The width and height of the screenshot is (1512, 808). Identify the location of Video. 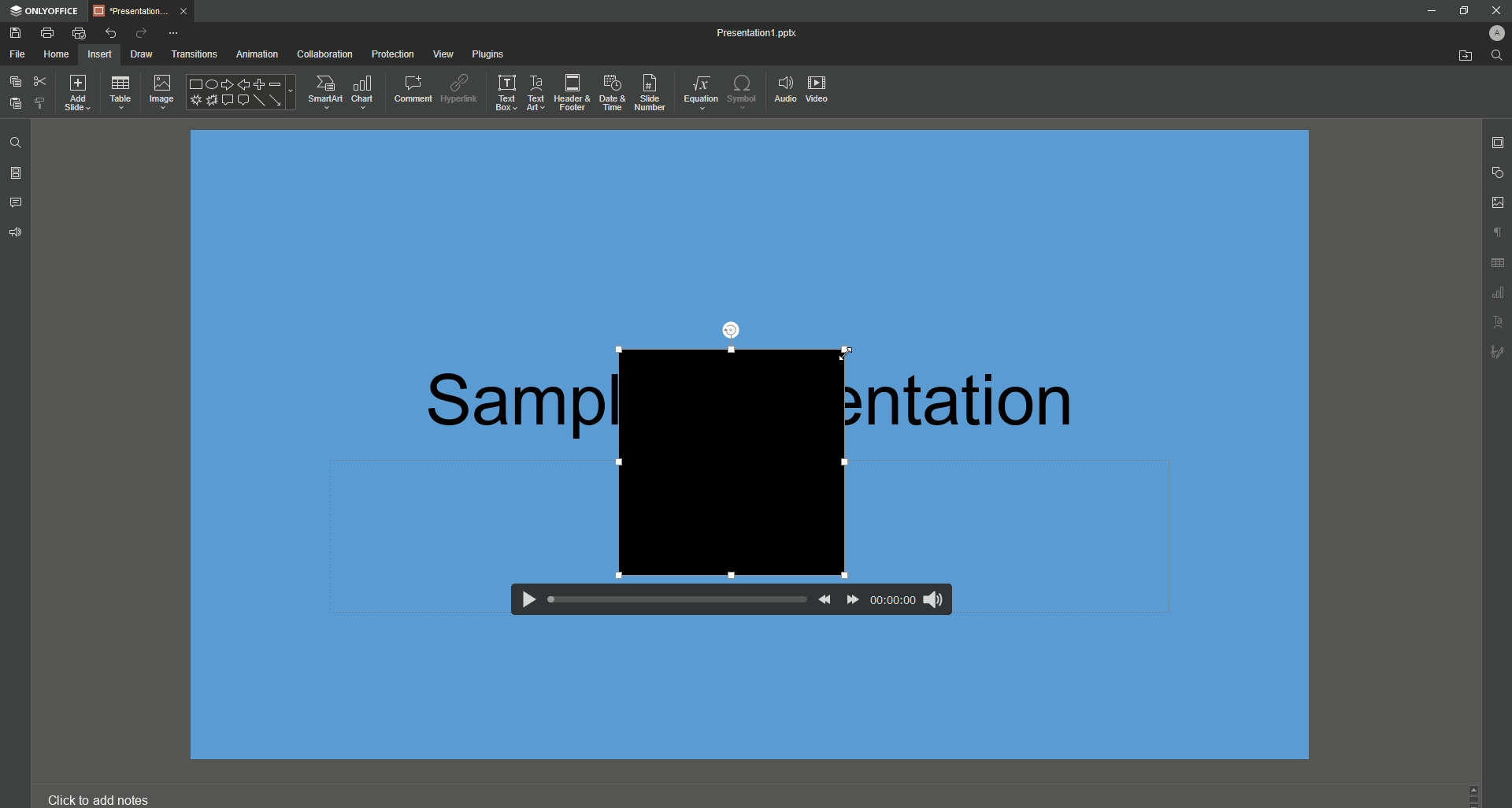
(736, 446).